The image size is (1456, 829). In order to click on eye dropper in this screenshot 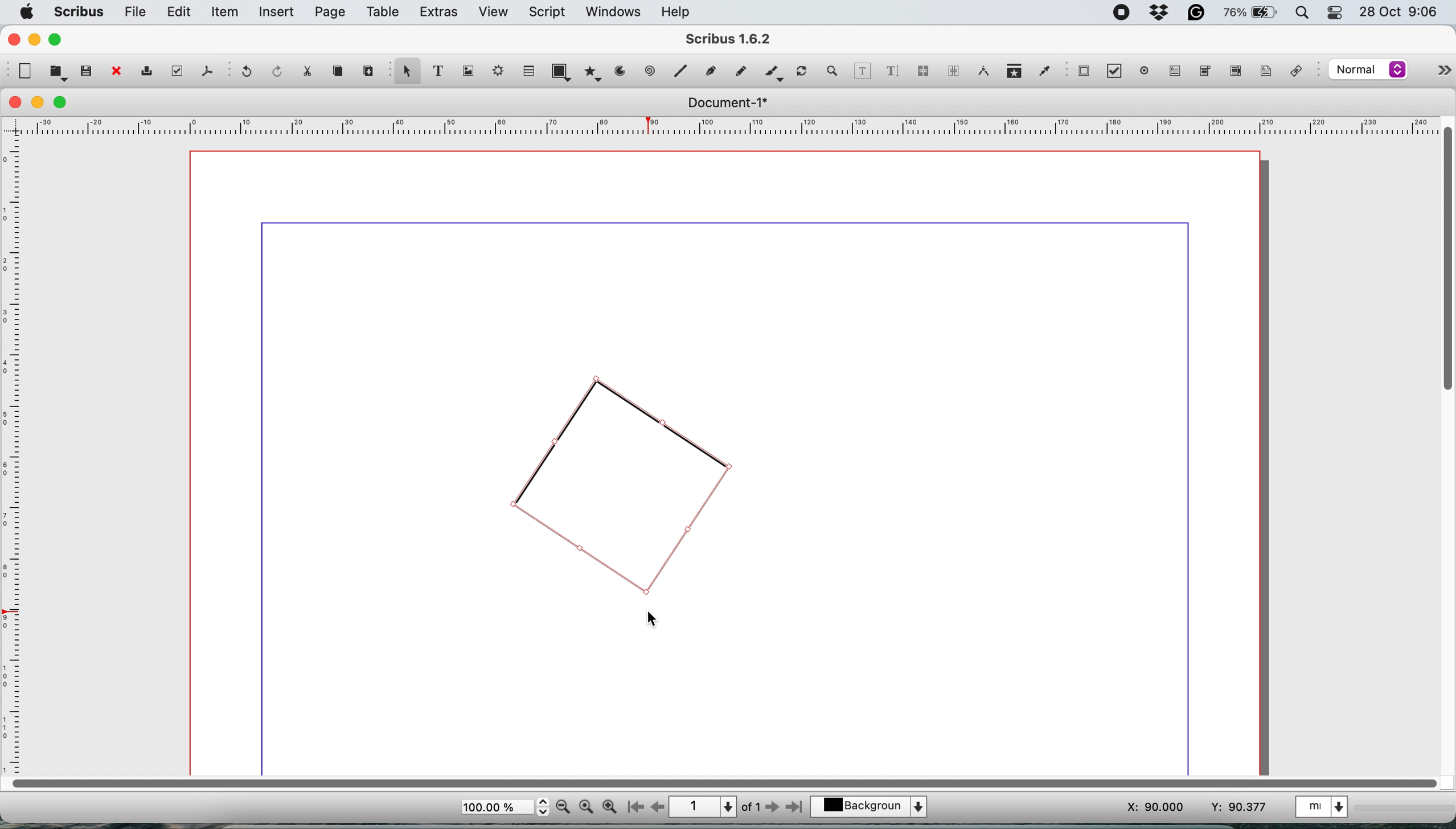, I will do `click(1044, 70)`.